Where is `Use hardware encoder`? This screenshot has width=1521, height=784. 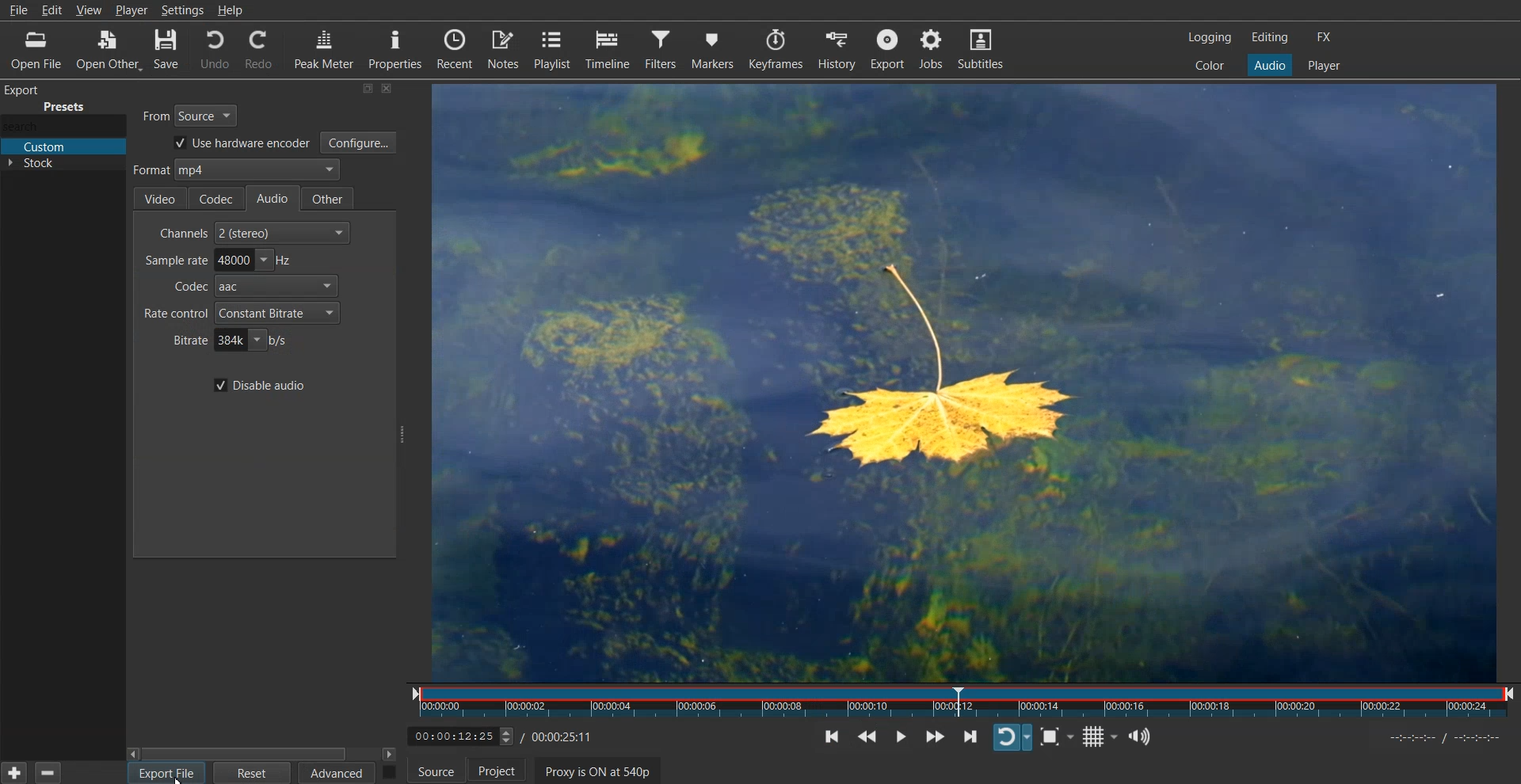
Use hardware encoder is located at coordinates (238, 144).